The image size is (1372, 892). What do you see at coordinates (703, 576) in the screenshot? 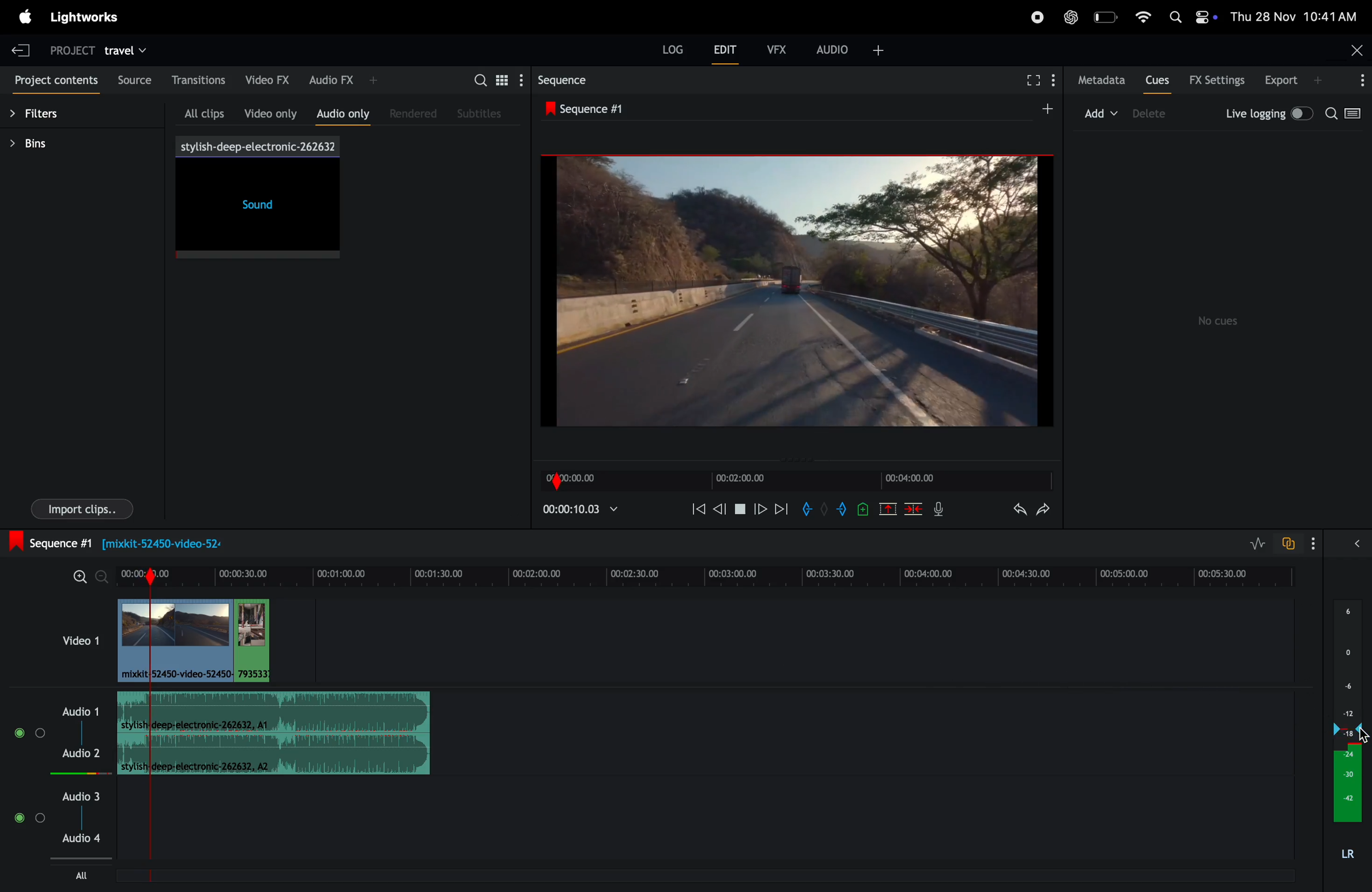
I see `time frame` at bounding box center [703, 576].